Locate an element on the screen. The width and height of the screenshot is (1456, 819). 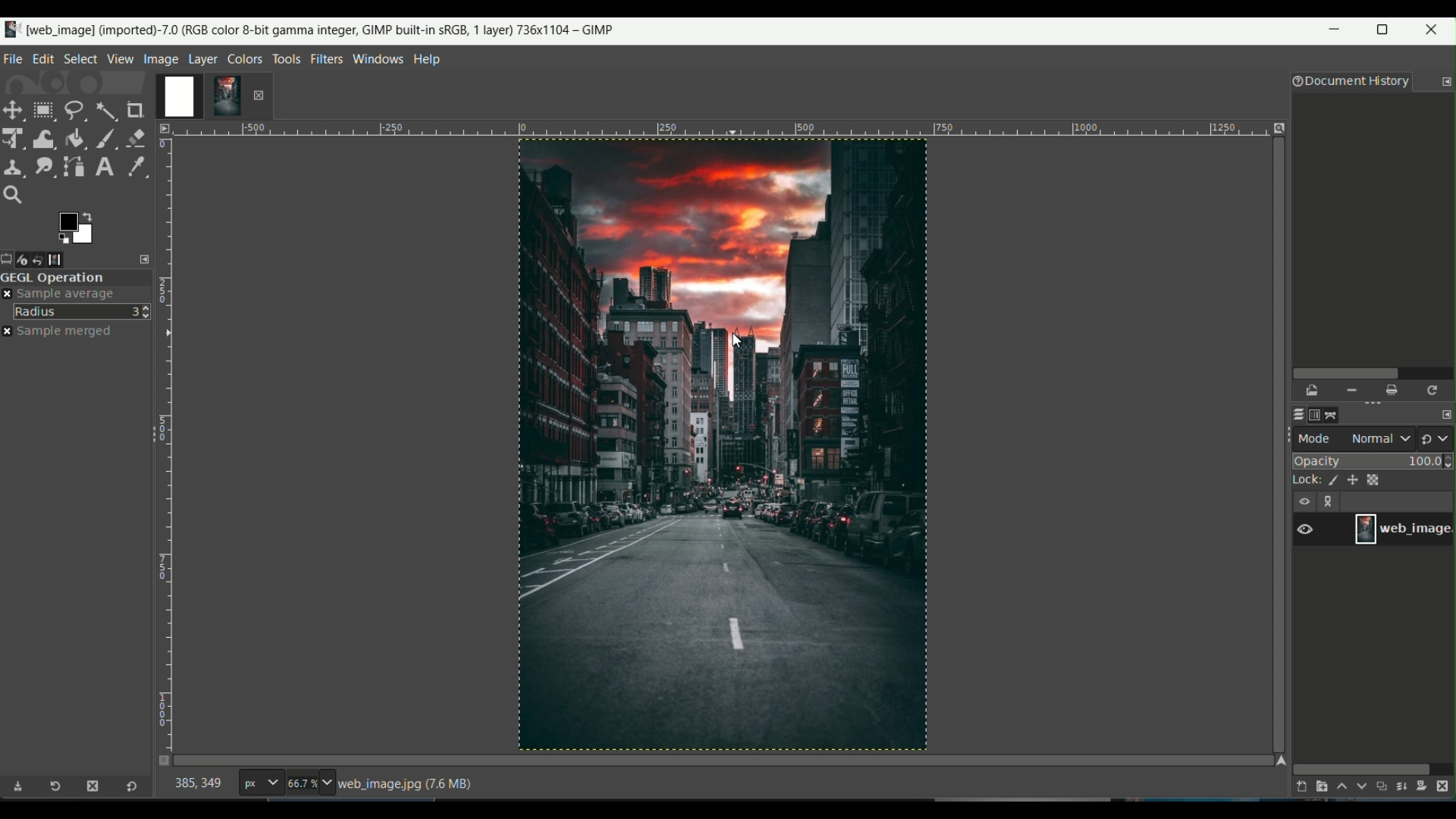
windows tab is located at coordinates (379, 58).